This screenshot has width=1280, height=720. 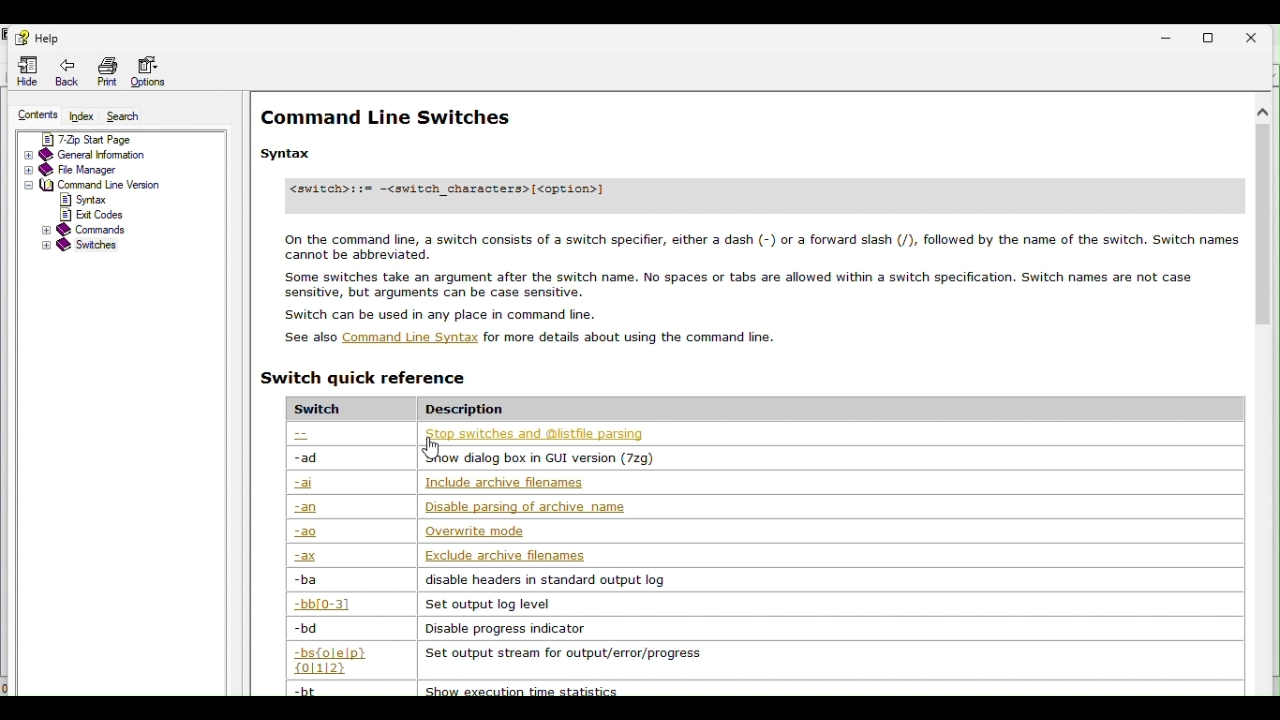 What do you see at coordinates (93, 184) in the screenshot?
I see `` at bounding box center [93, 184].